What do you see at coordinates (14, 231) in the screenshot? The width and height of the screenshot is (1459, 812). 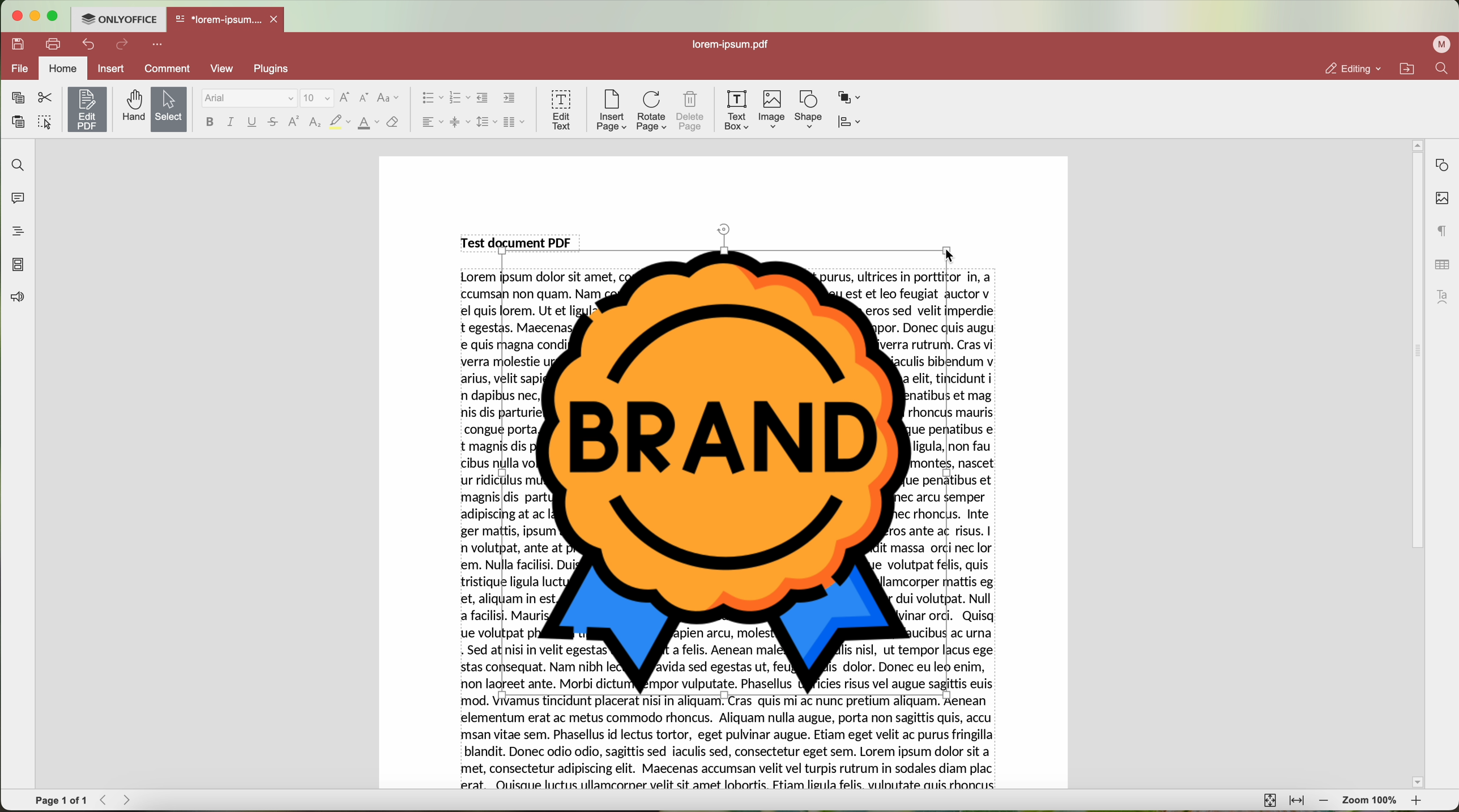 I see `headings` at bounding box center [14, 231].